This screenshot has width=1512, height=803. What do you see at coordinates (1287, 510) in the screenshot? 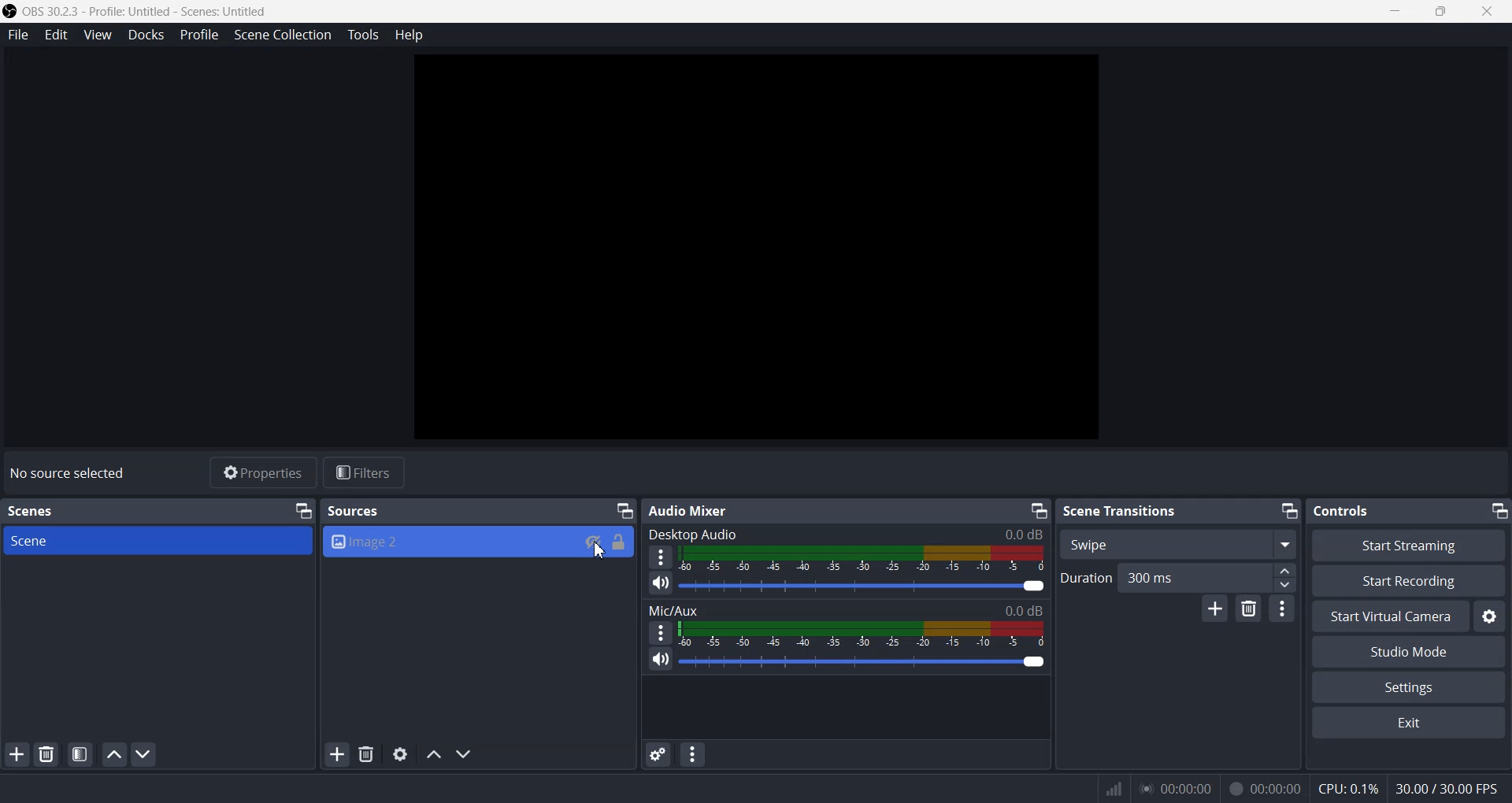
I see `Minimize` at bounding box center [1287, 510].